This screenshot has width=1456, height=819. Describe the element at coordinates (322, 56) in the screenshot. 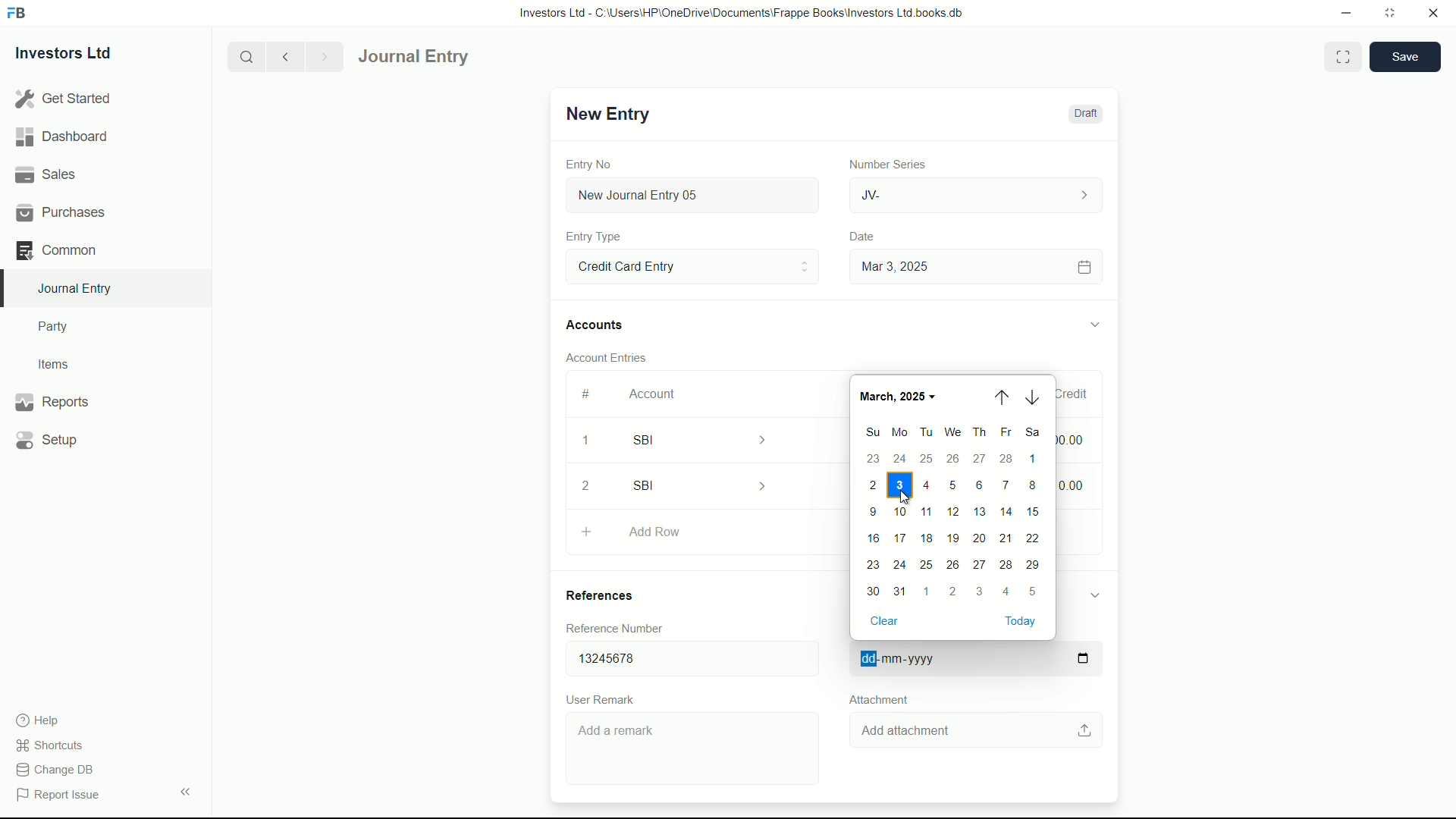

I see `Next` at that location.